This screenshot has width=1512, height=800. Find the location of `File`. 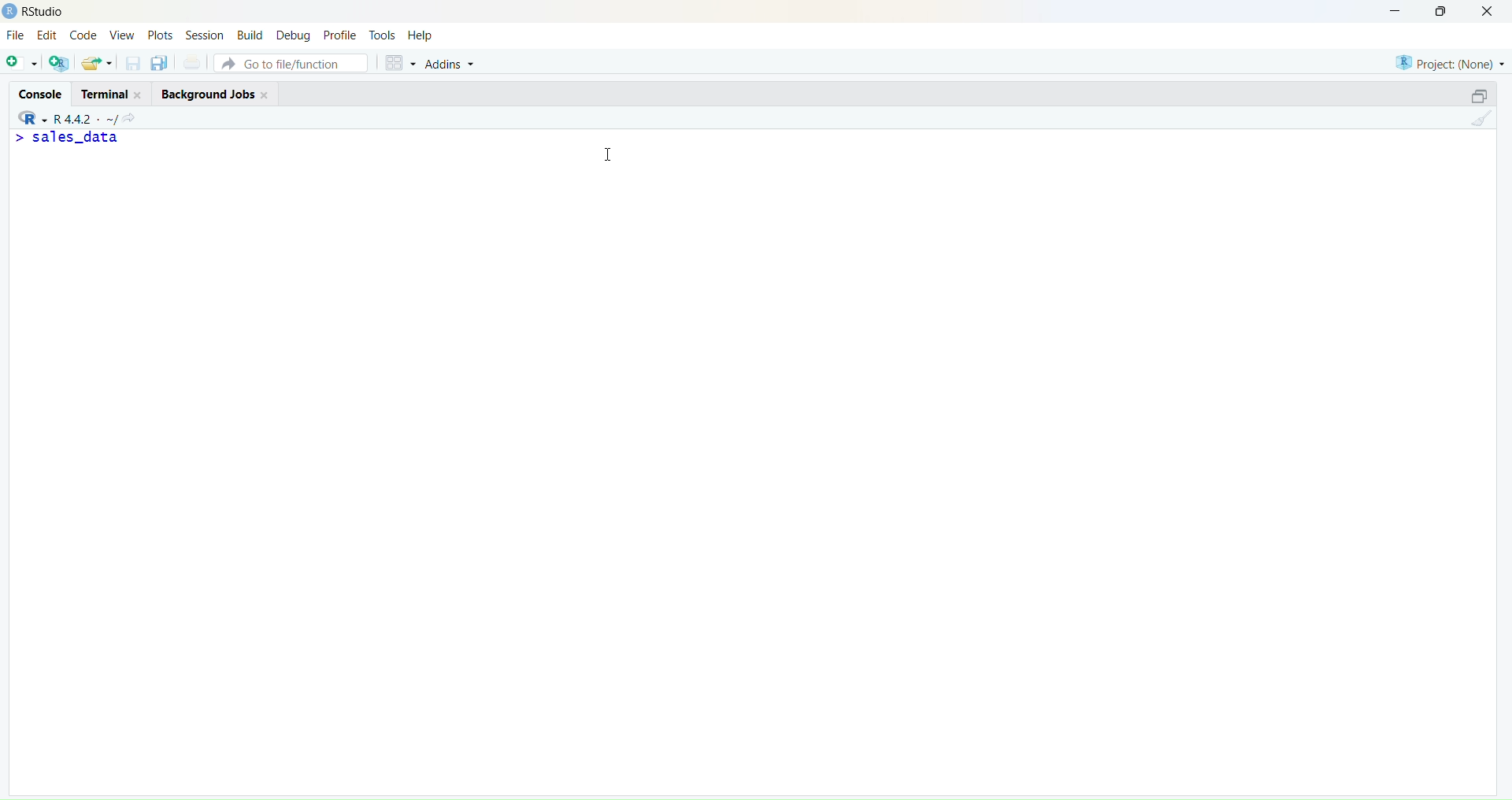

File is located at coordinates (16, 36).